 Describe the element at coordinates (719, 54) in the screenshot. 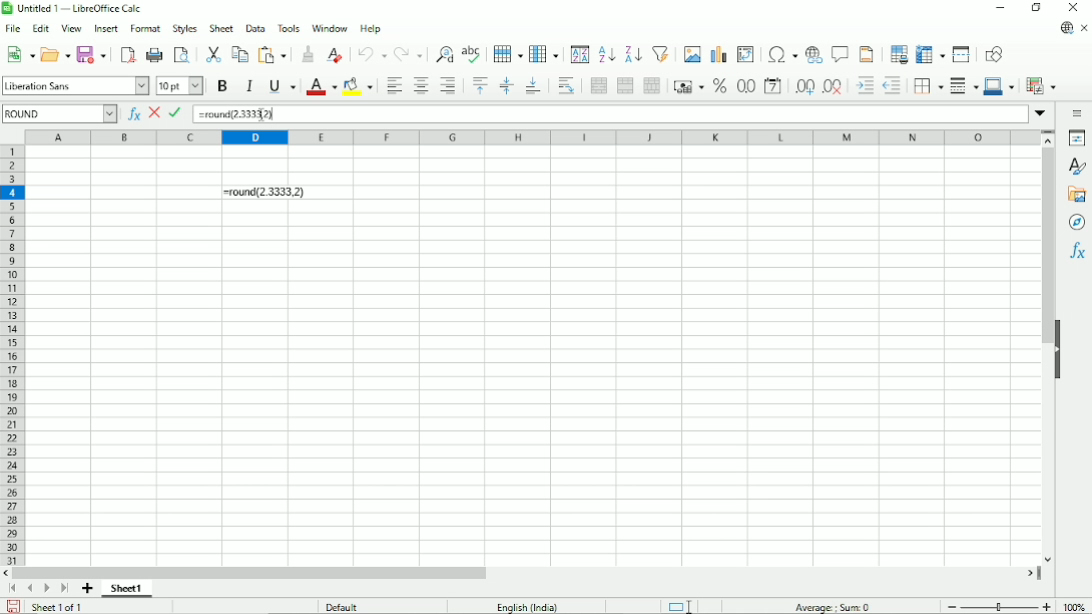

I see `Insert chart` at that location.